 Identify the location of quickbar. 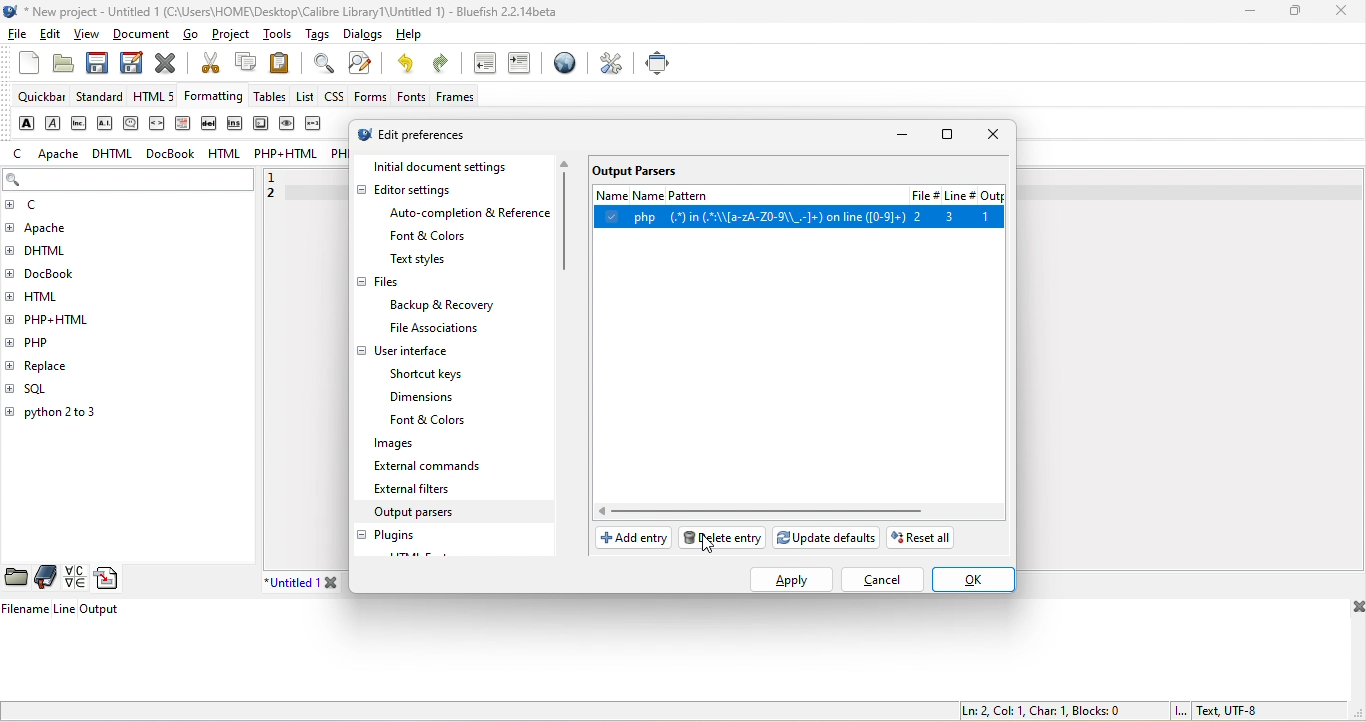
(41, 98).